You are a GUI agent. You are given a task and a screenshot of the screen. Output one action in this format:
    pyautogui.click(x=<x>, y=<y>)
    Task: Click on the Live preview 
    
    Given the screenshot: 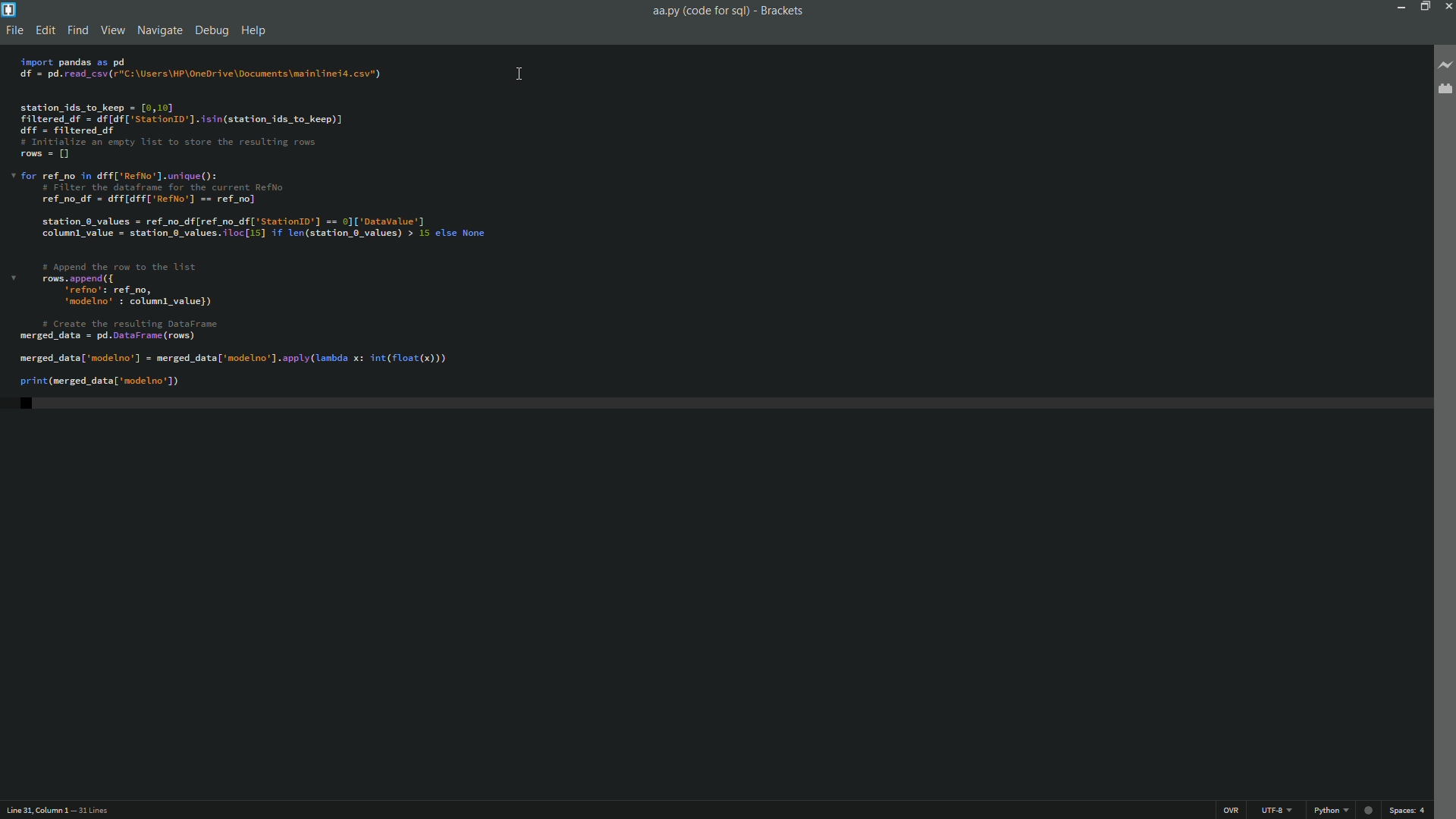 What is the action you would take?
    pyautogui.click(x=1368, y=810)
    